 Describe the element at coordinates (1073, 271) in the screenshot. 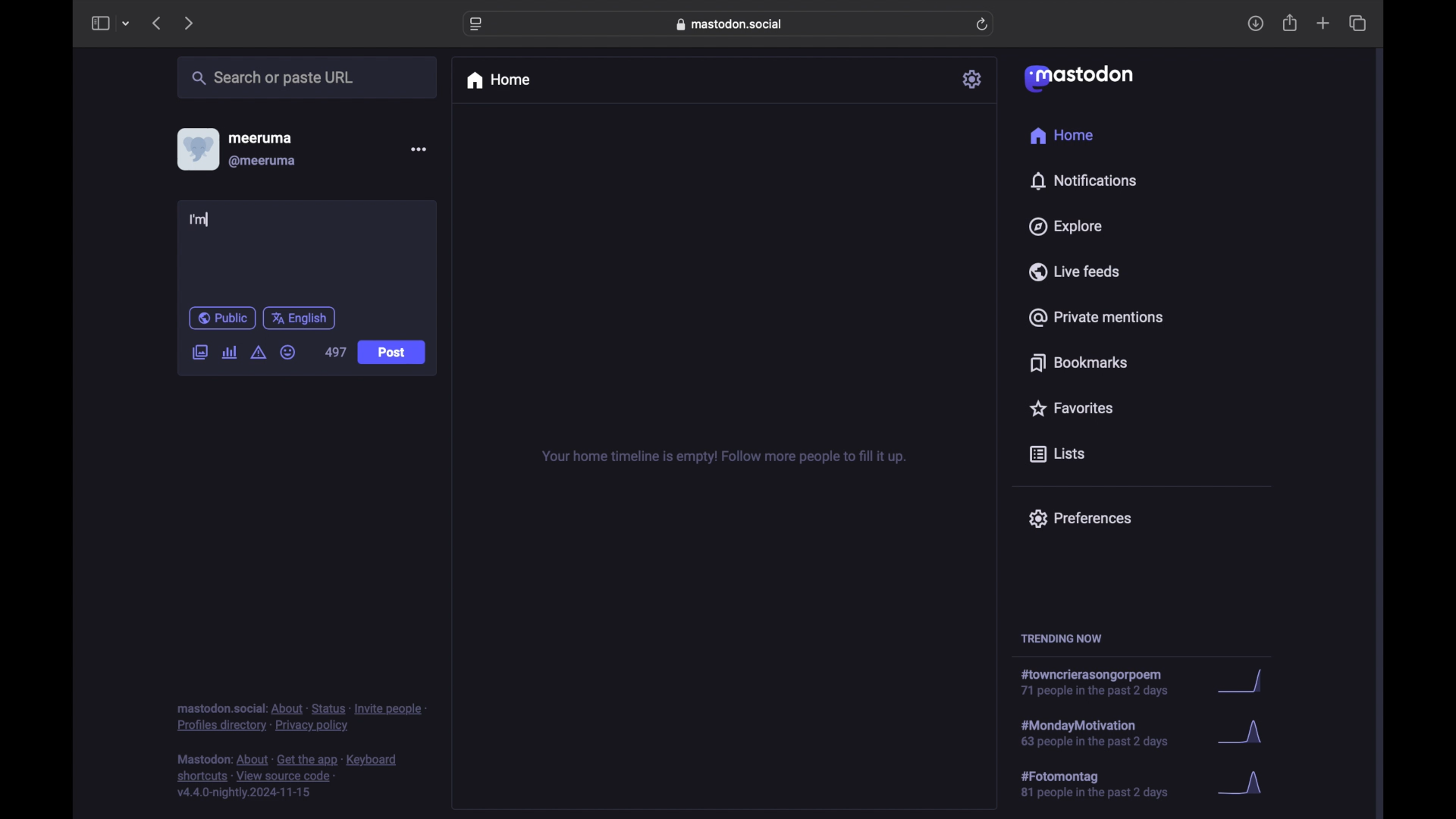

I see `live feeds` at that location.